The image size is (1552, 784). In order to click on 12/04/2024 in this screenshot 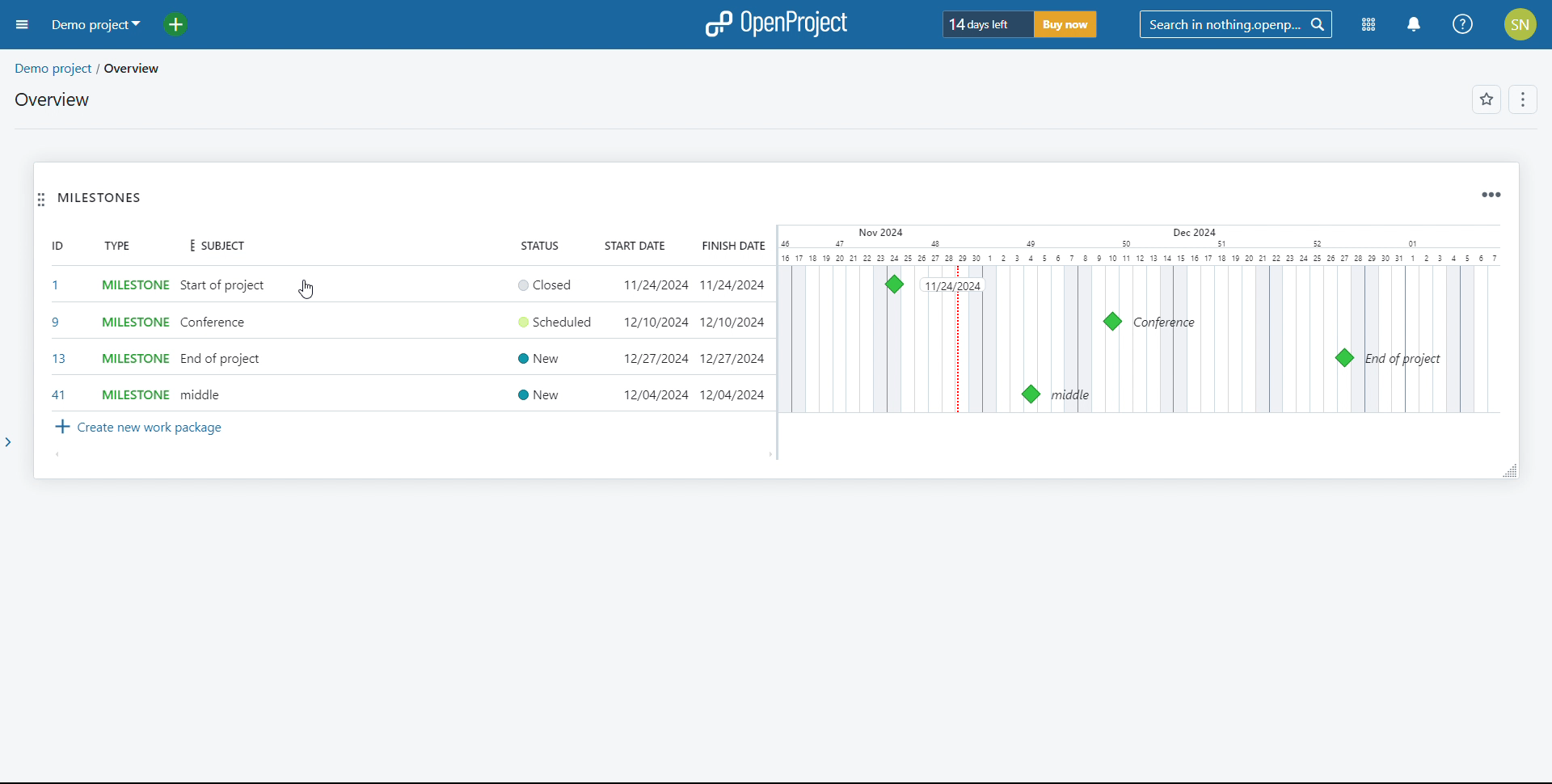, I will do `click(650, 395)`.